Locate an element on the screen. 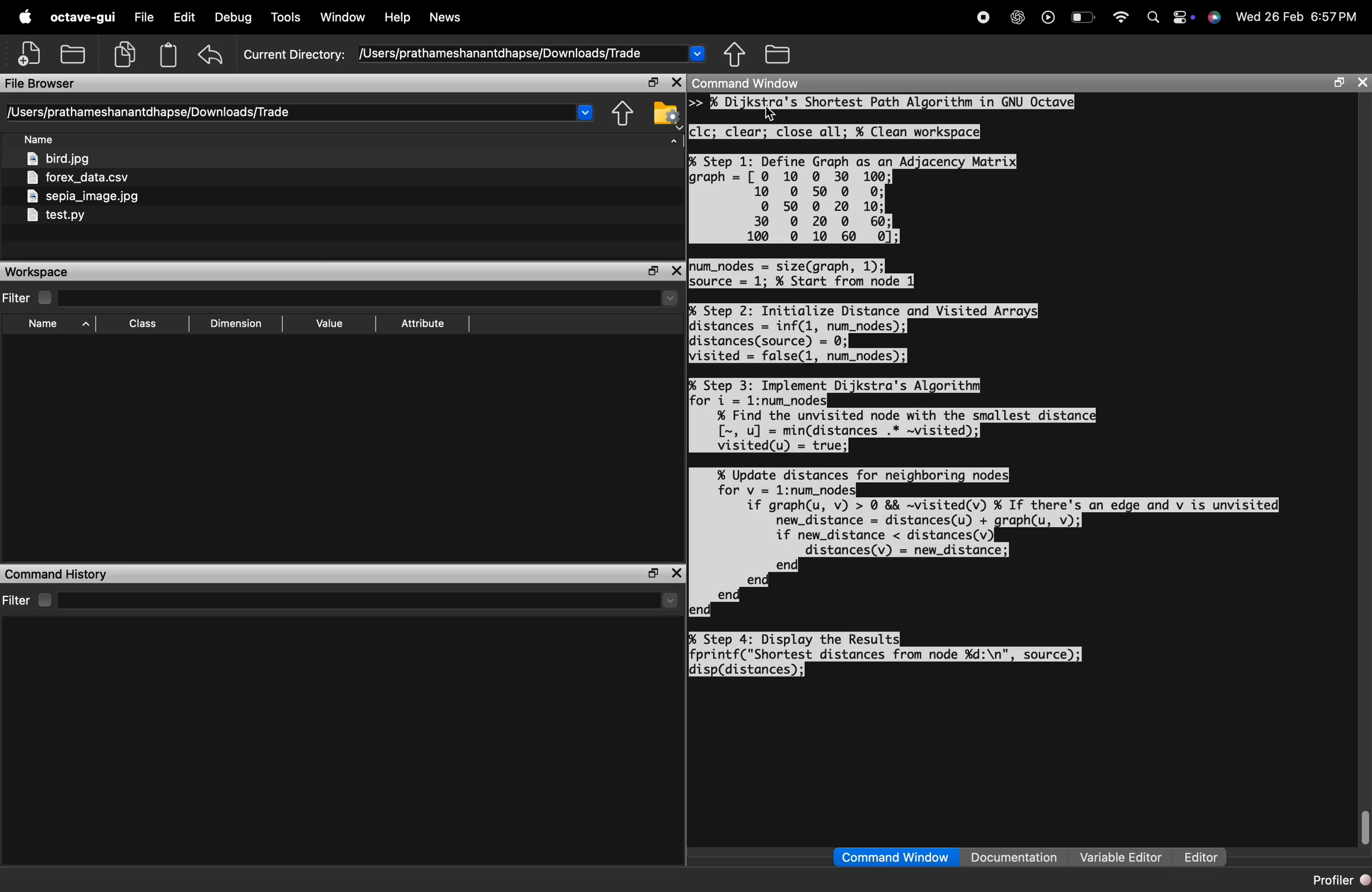  play is located at coordinates (1050, 18).